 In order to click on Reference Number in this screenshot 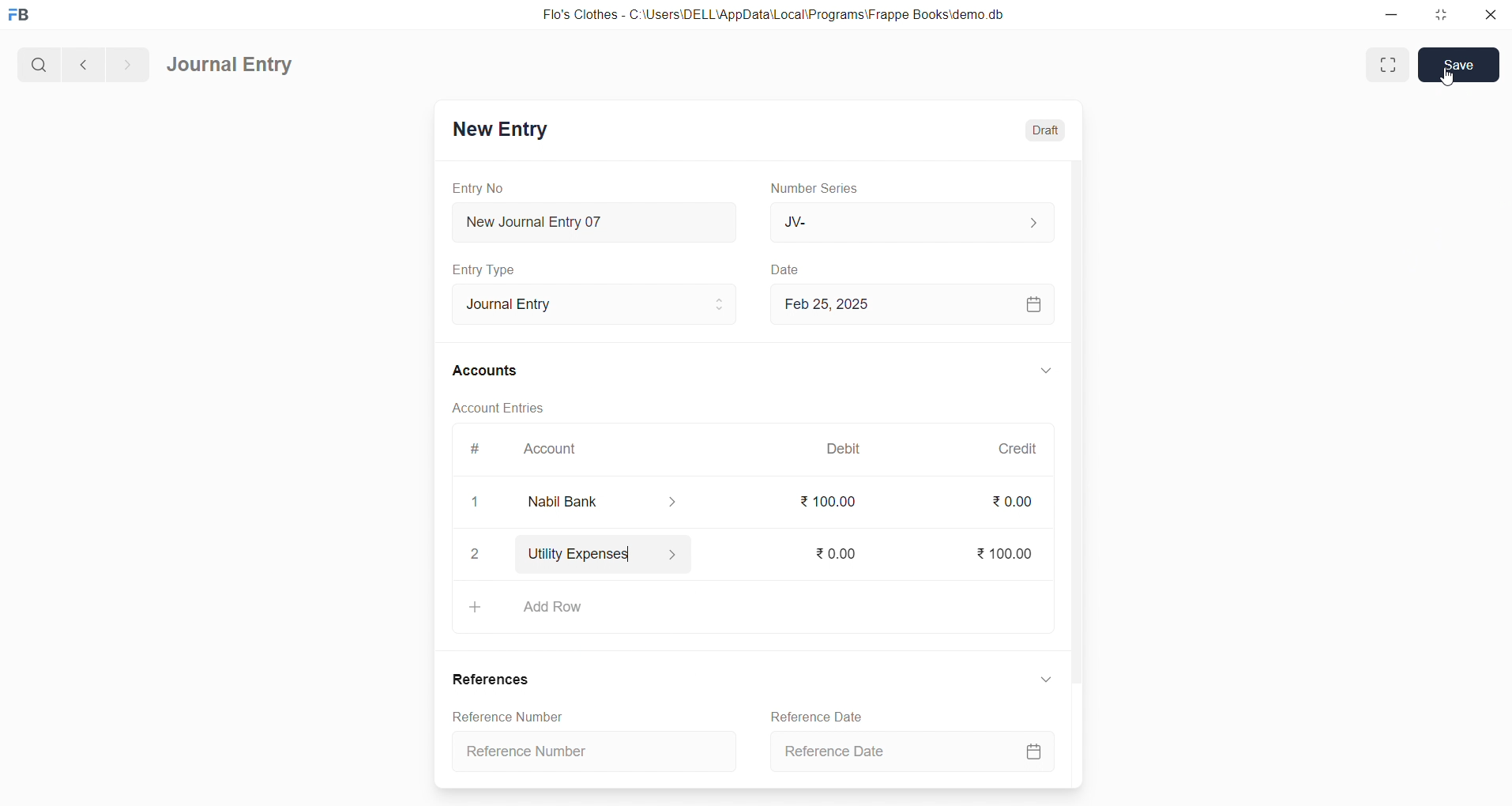, I will do `click(599, 750)`.